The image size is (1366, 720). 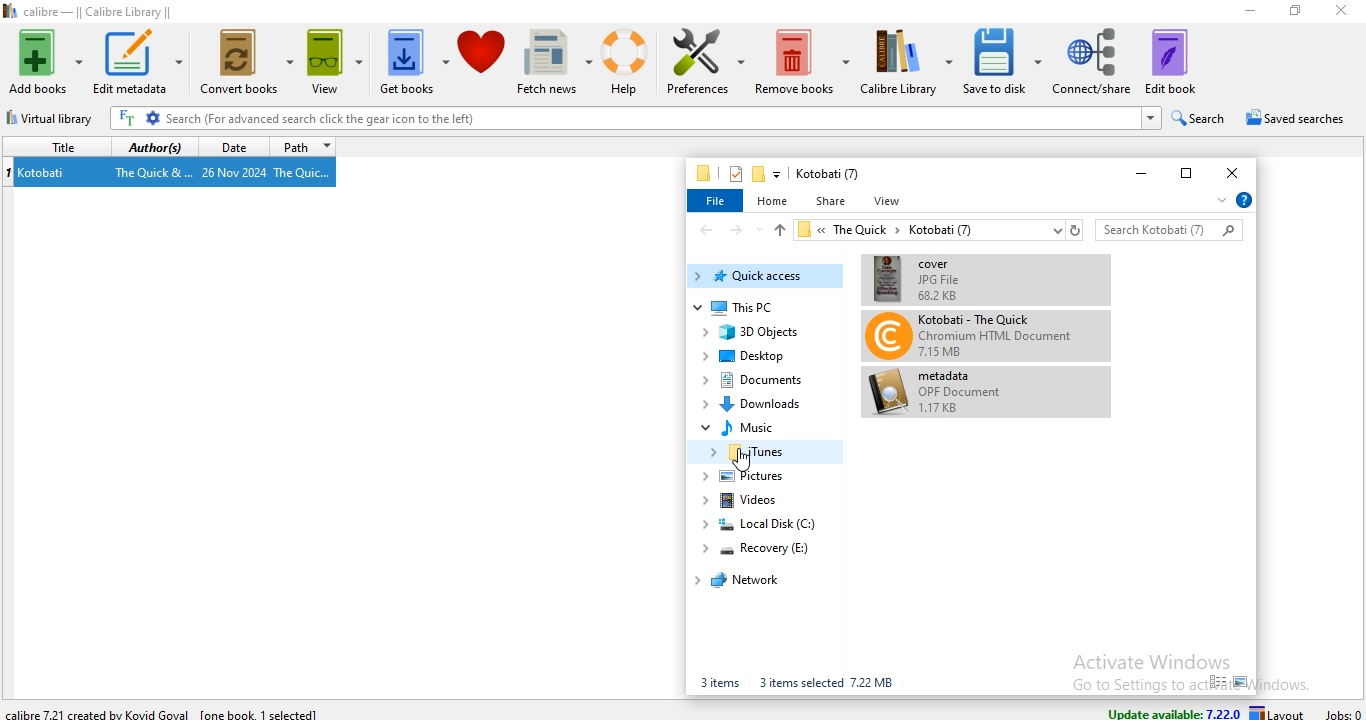 I want to click on donate to calibre, so click(x=481, y=61).